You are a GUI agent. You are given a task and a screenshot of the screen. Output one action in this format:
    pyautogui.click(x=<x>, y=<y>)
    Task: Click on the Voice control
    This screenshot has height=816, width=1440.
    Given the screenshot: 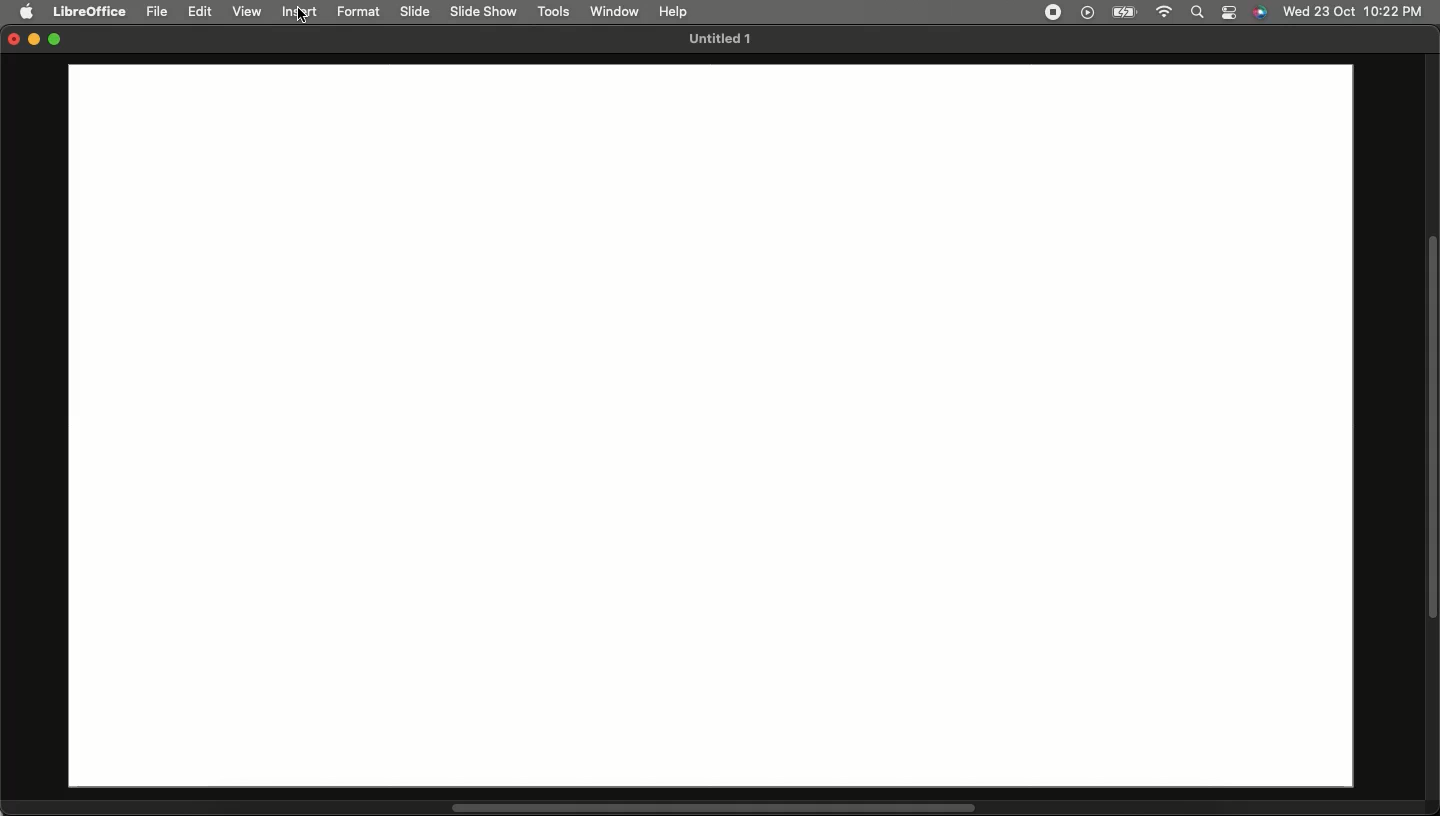 What is the action you would take?
    pyautogui.click(x=1259, y=13)
    